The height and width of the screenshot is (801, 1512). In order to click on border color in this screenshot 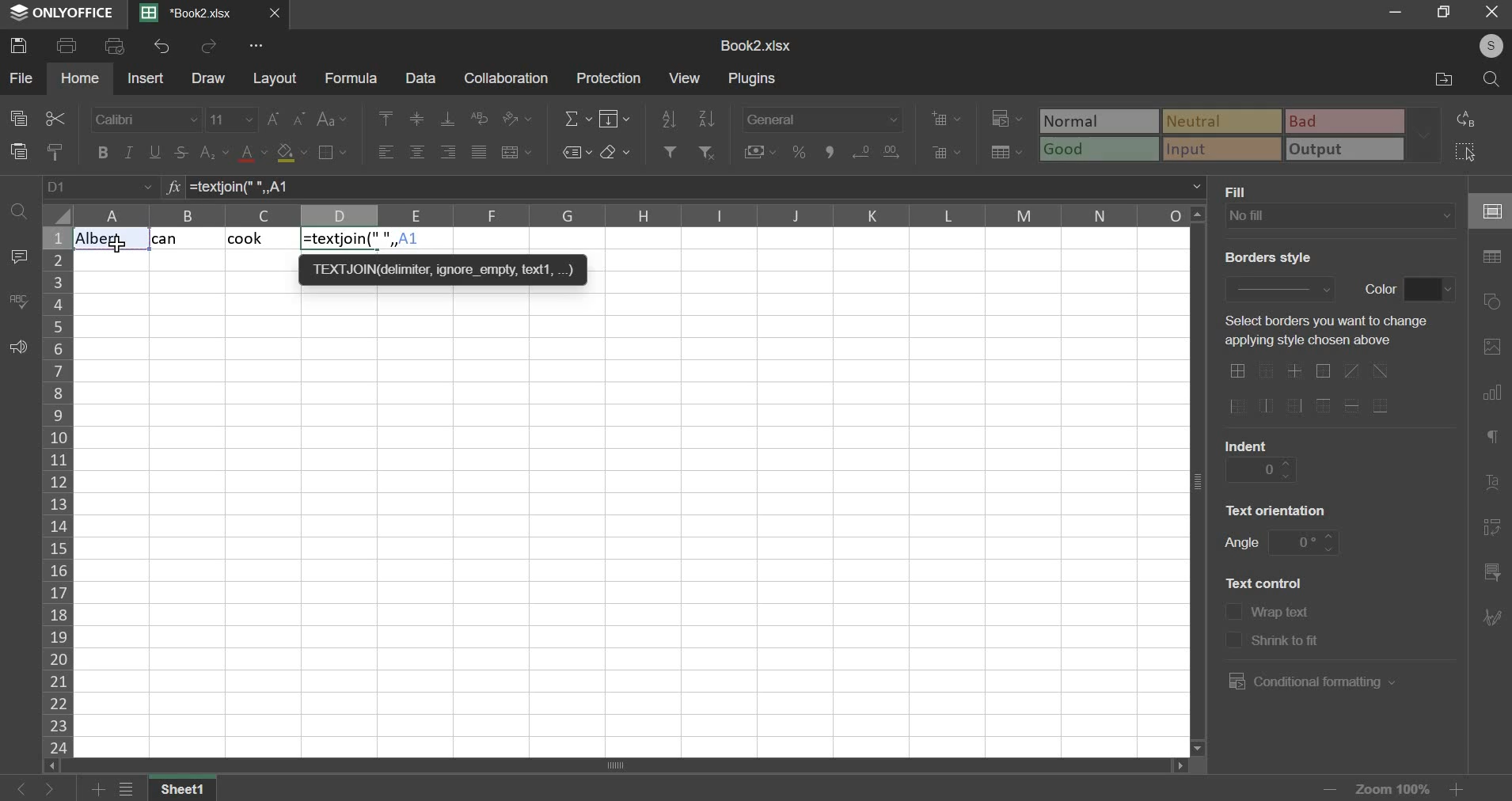, I will do `click(1430, 290)`.